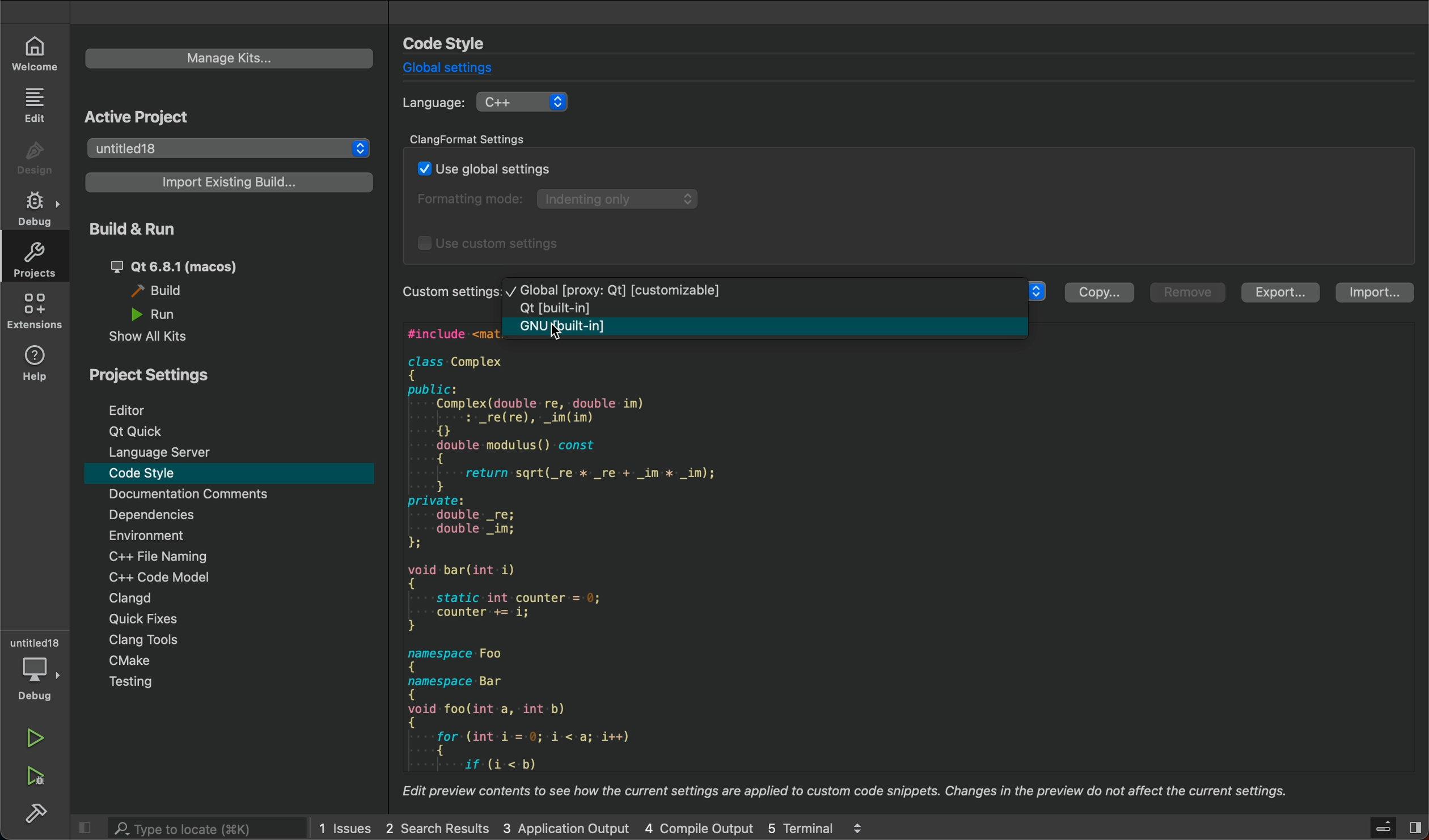 The width and height of the screenshot is (1429, 840). I want to click on run, so click(161, 315).